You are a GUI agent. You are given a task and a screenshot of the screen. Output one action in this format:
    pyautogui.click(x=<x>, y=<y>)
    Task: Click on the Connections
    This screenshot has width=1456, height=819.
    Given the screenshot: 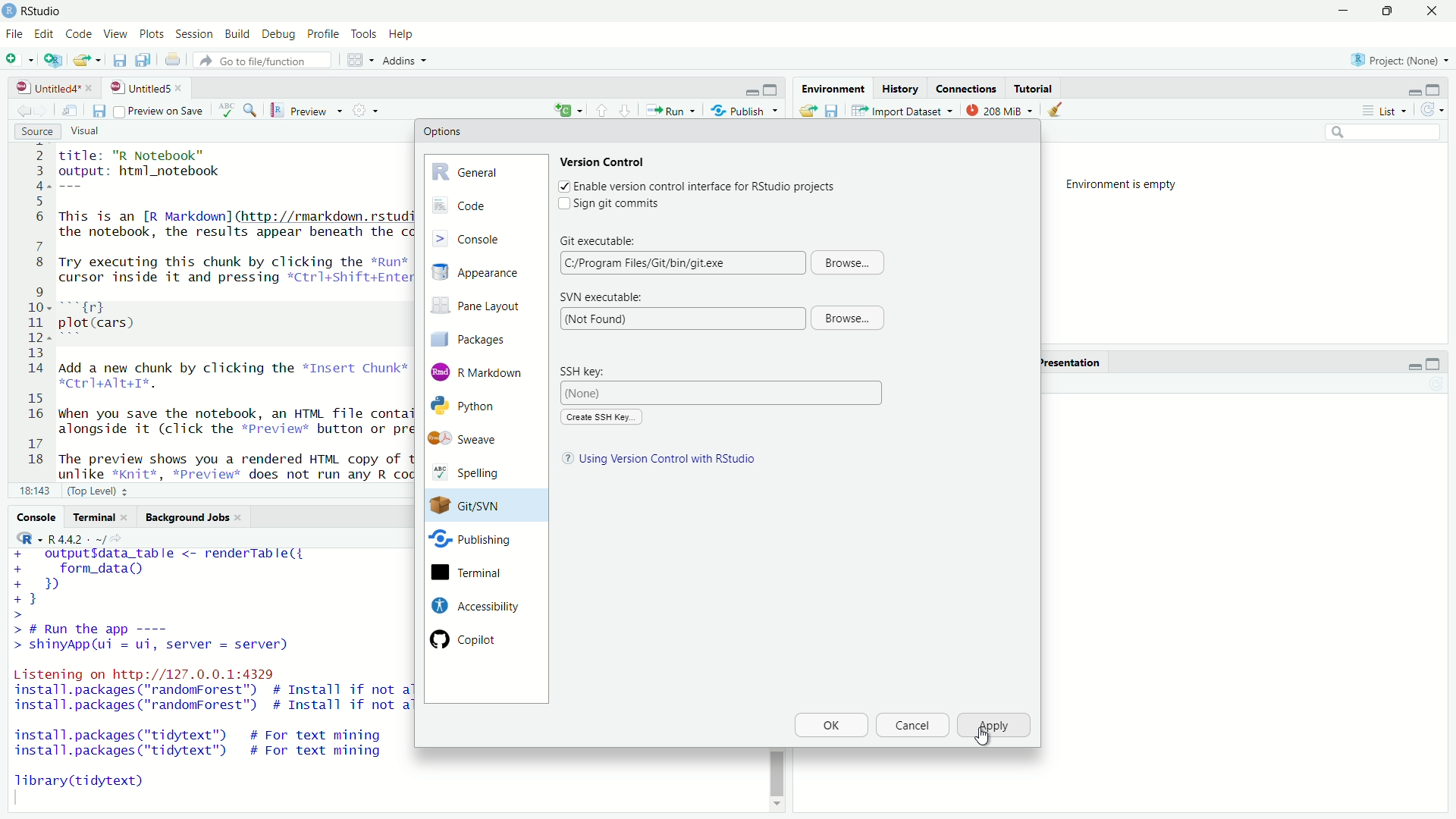 What is the action you would take?
    pyautogui.click(x=966, y=88)
    